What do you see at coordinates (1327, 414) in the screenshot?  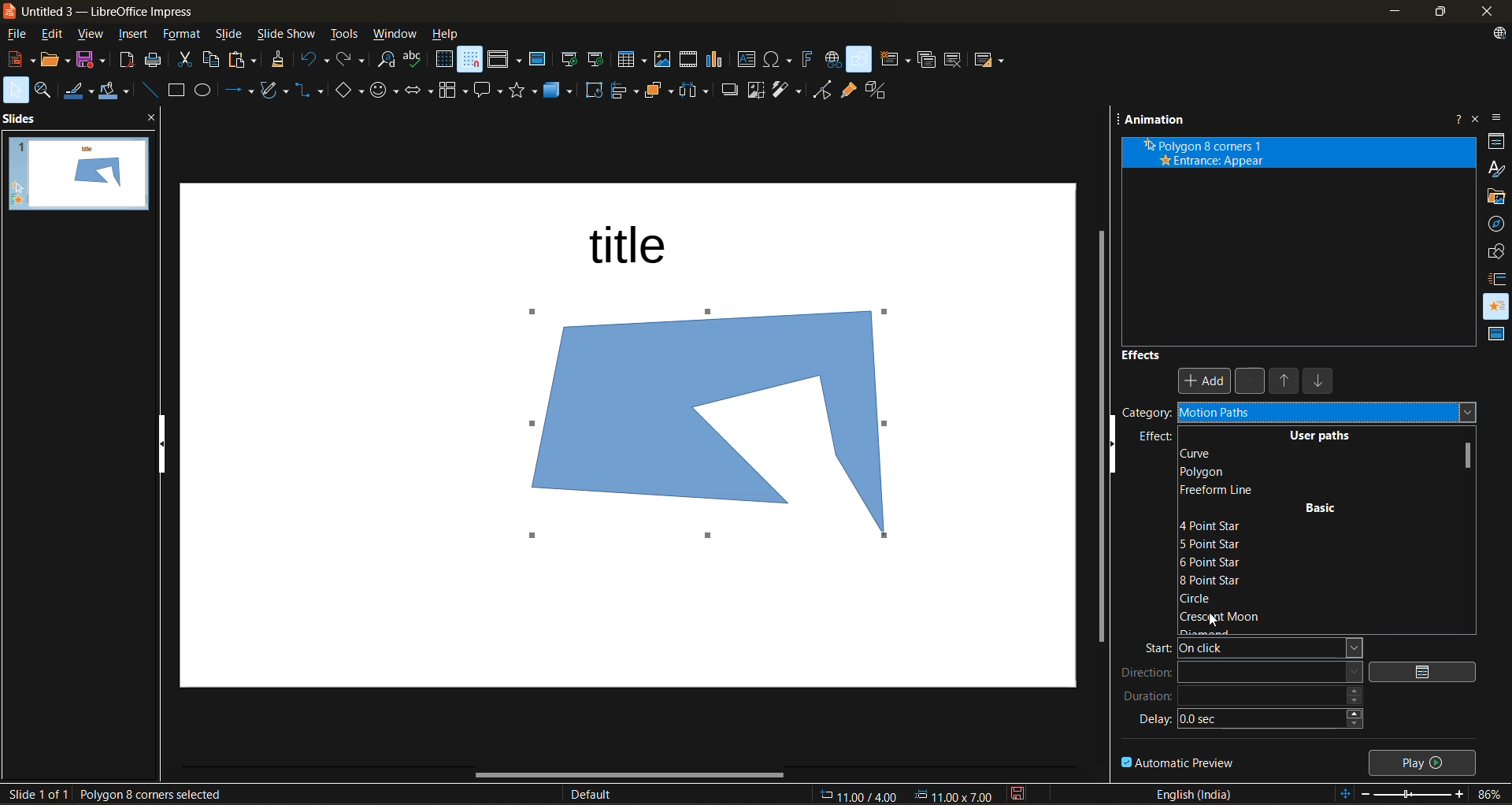 I see `motion paths` at bounding box center [1327, 414].